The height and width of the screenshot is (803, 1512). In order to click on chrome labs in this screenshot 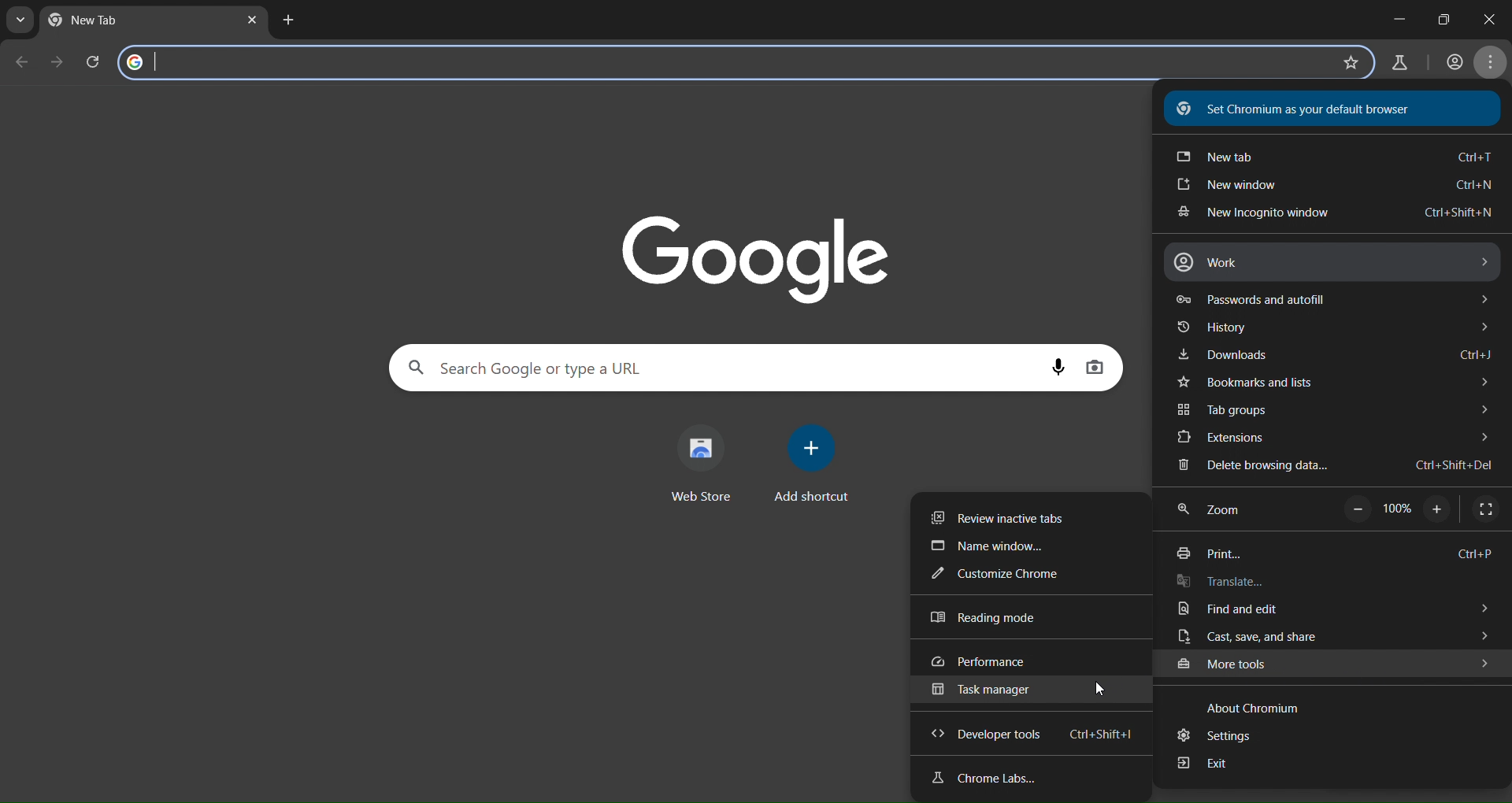, I will do `click(982, 779)`.